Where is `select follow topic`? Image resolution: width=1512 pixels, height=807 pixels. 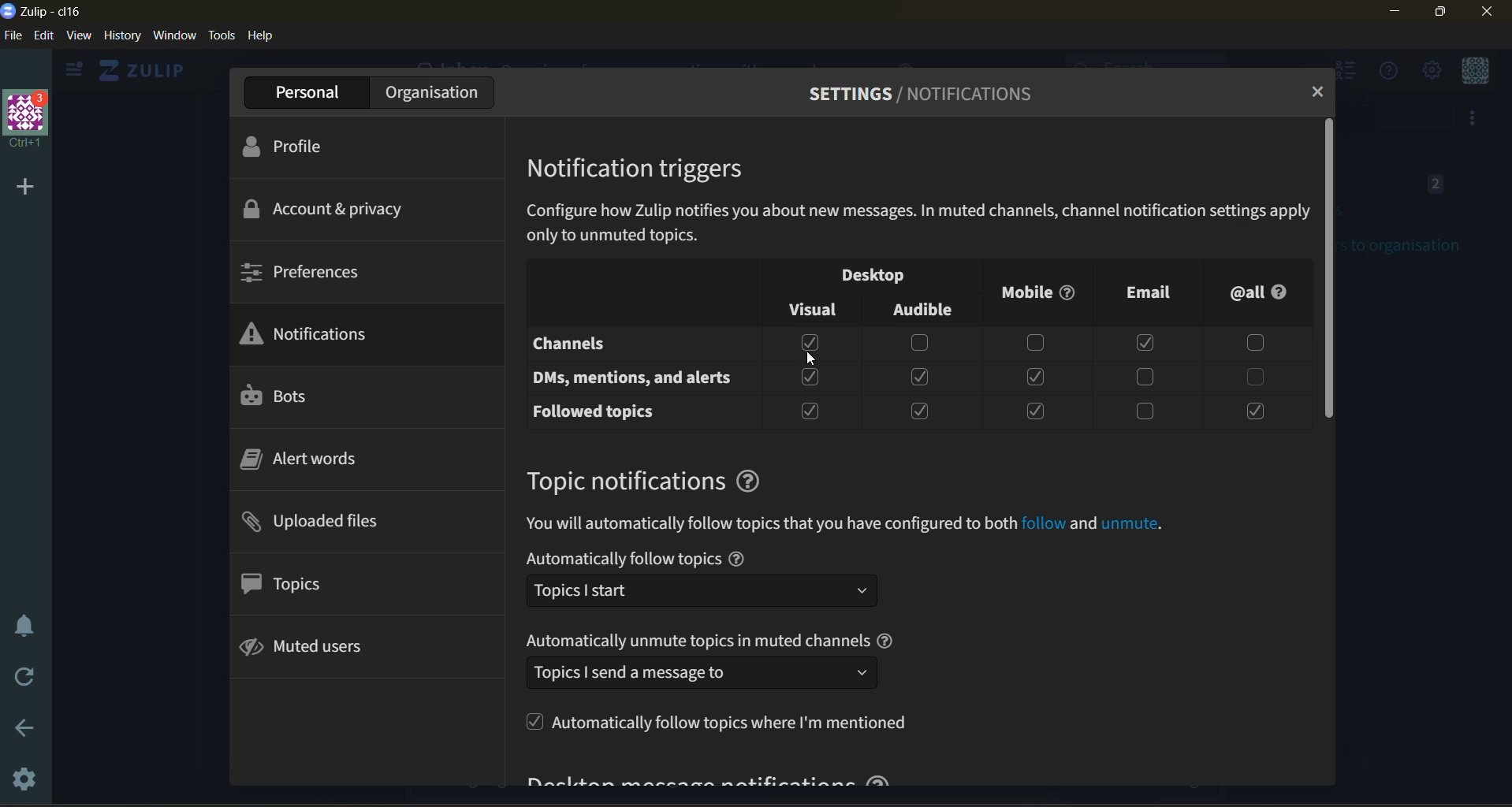
select follow topic is located at coordinates (702, 590).